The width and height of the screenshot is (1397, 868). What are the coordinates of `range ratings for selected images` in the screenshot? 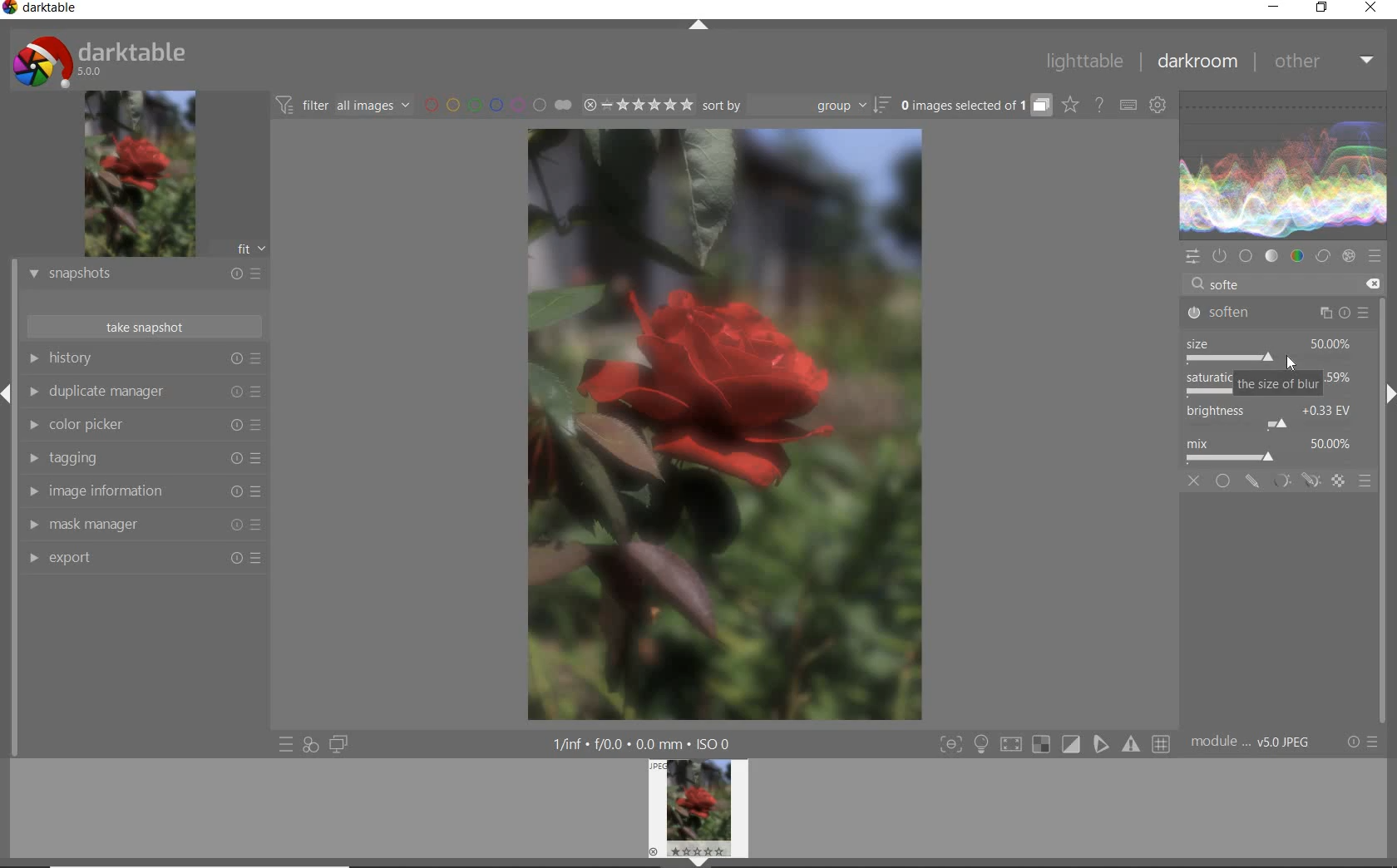 It's located at (638, 105).